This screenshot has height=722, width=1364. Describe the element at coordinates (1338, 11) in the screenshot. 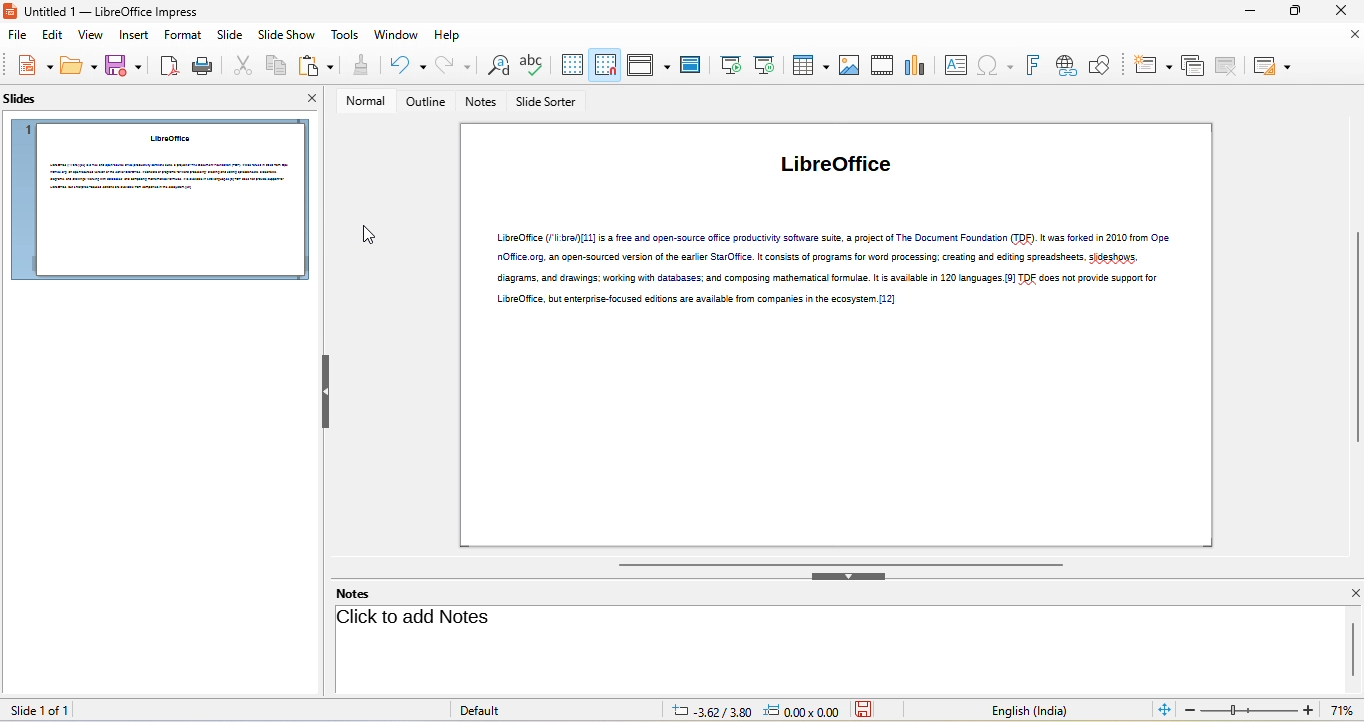

I see `close` at that location.